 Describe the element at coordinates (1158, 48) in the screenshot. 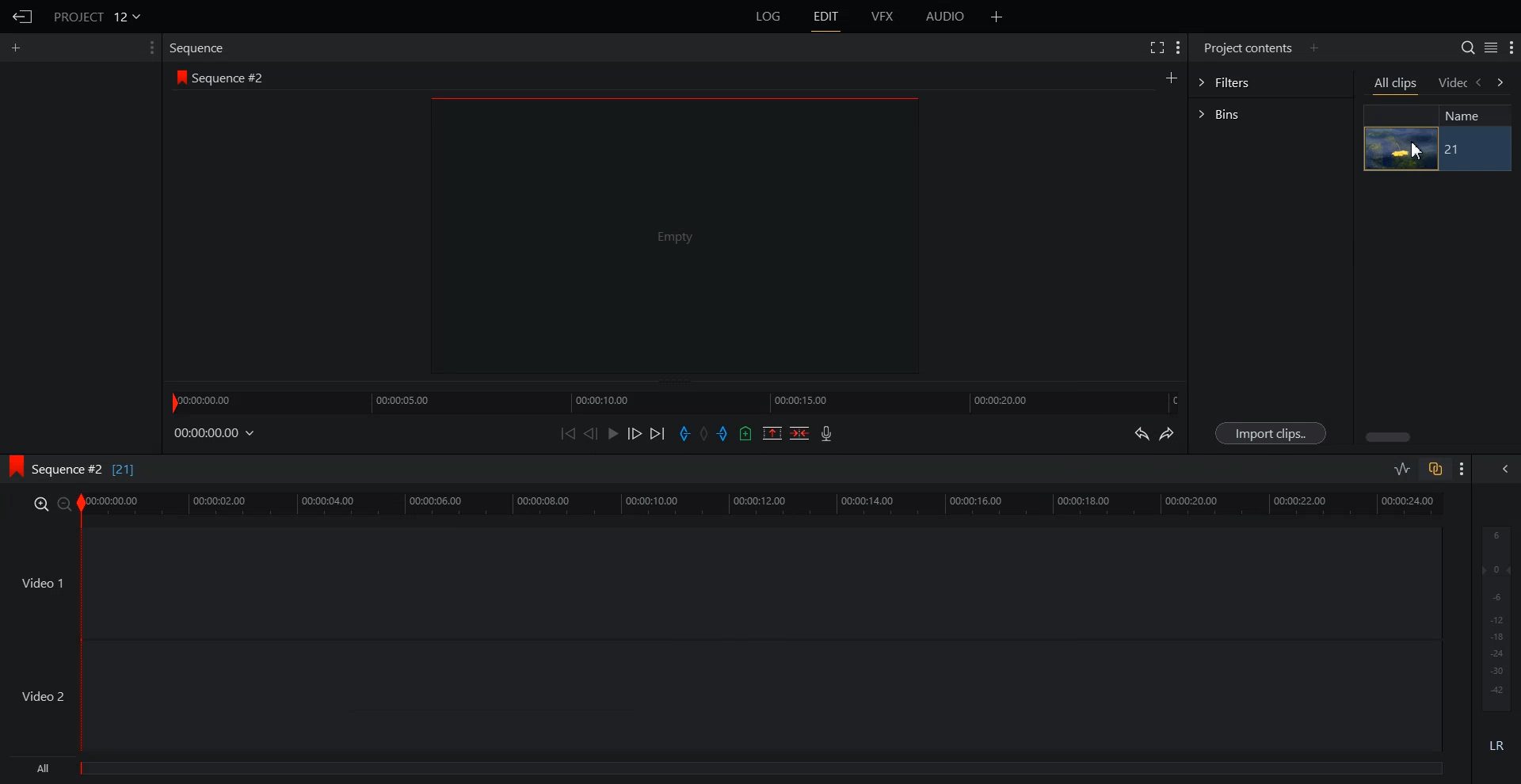

I see `Full Screen` at that location.